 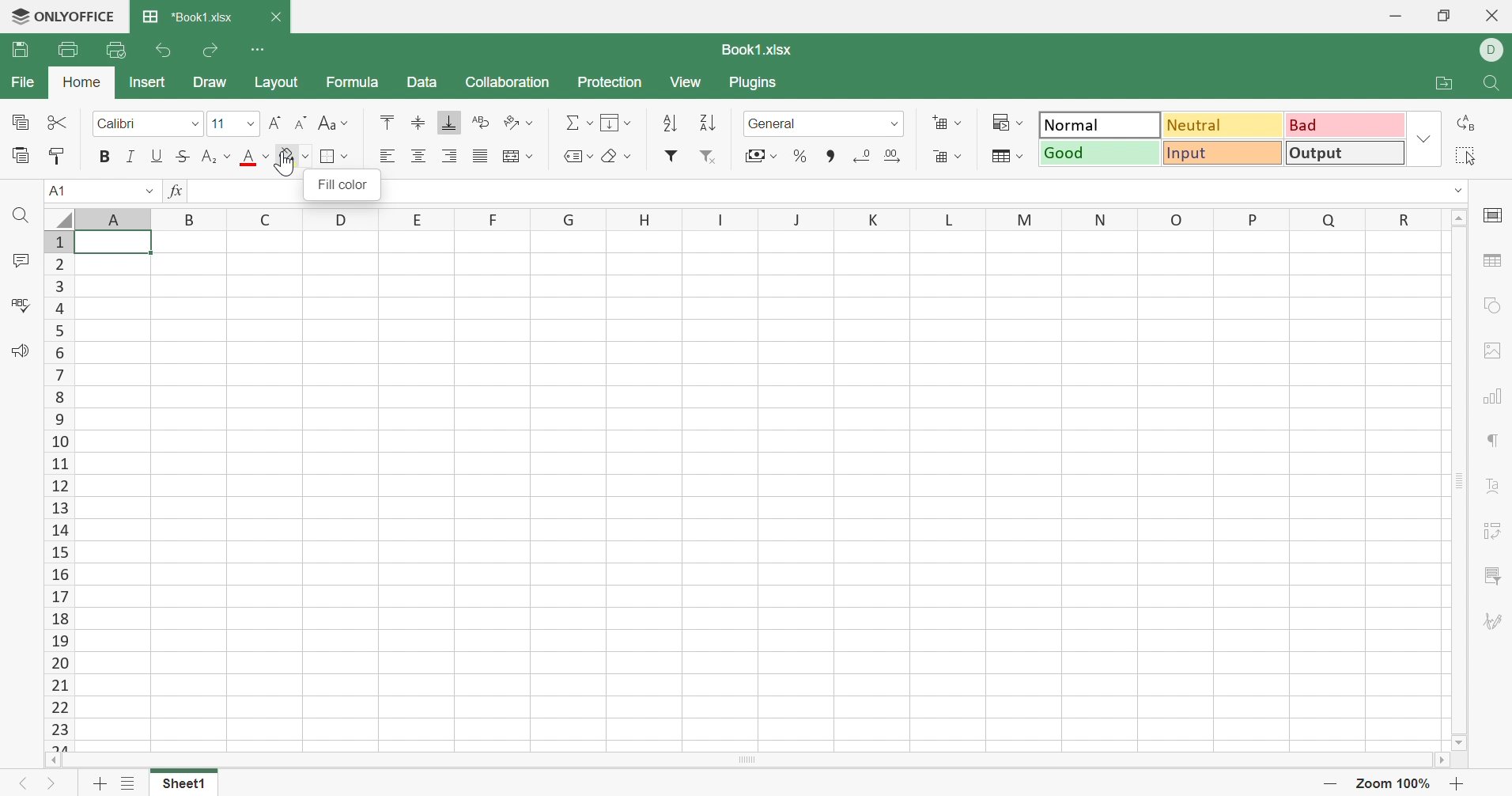 What do you see at coordinates (334, 121) in the screenshot?
I see `Change case` at bounding box center [334, 121].